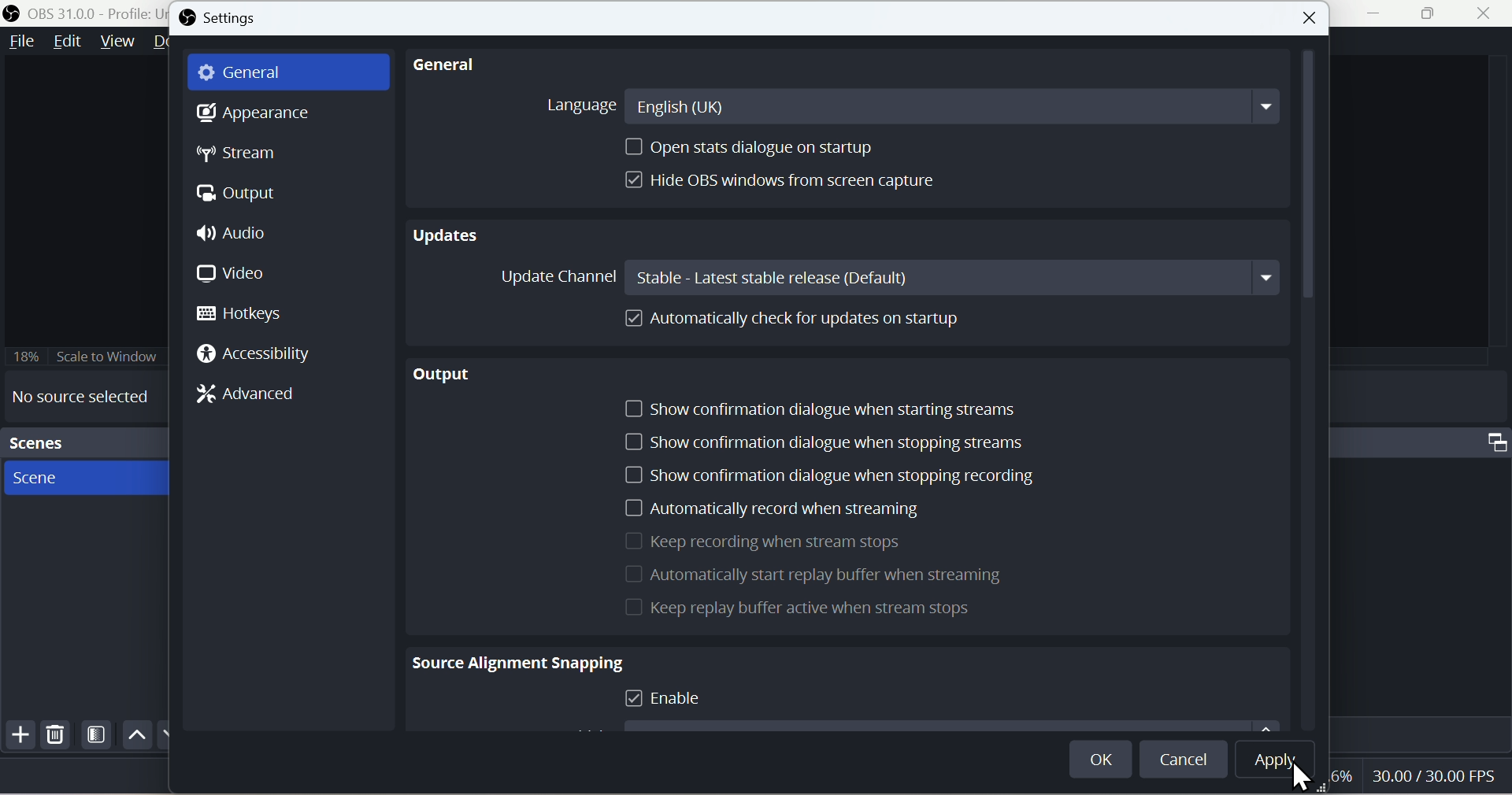  What do you see at coordinates (1184, 761) in the screenshot?
I see `Cancel` at bounding box center [1184, 761].